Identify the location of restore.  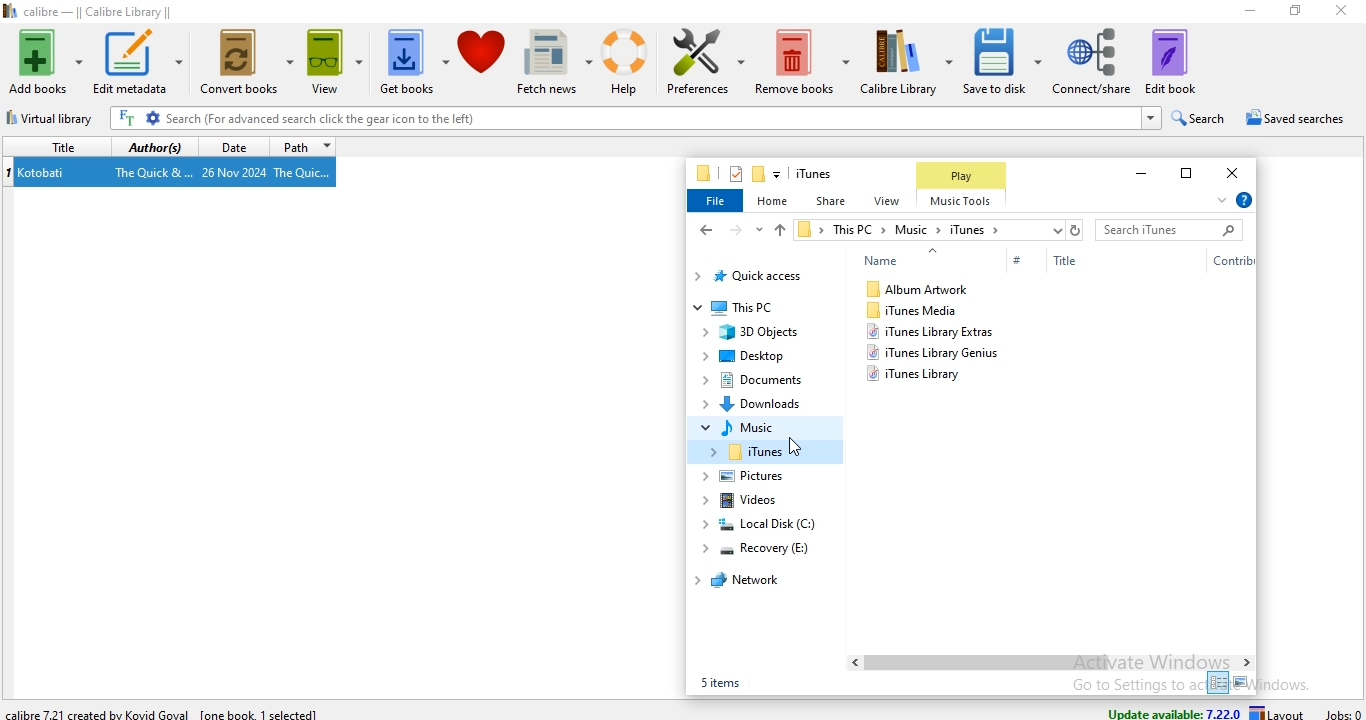
(1292, 10).